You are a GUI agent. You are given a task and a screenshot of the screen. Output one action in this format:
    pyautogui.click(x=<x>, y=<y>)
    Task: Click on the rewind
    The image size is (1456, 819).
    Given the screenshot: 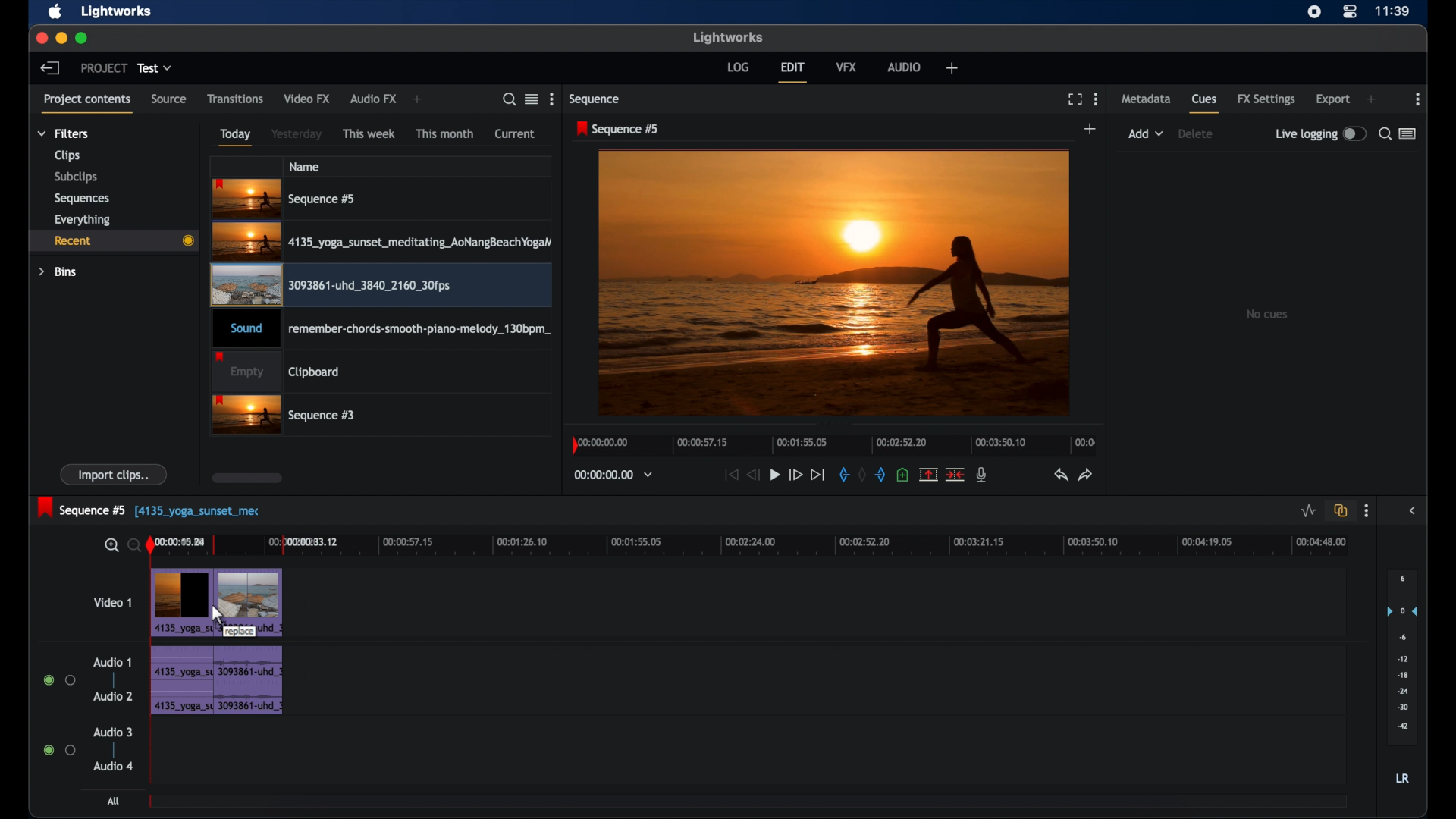 What is the action you would take?
    pyautogui.click(x=754, y=474)
    